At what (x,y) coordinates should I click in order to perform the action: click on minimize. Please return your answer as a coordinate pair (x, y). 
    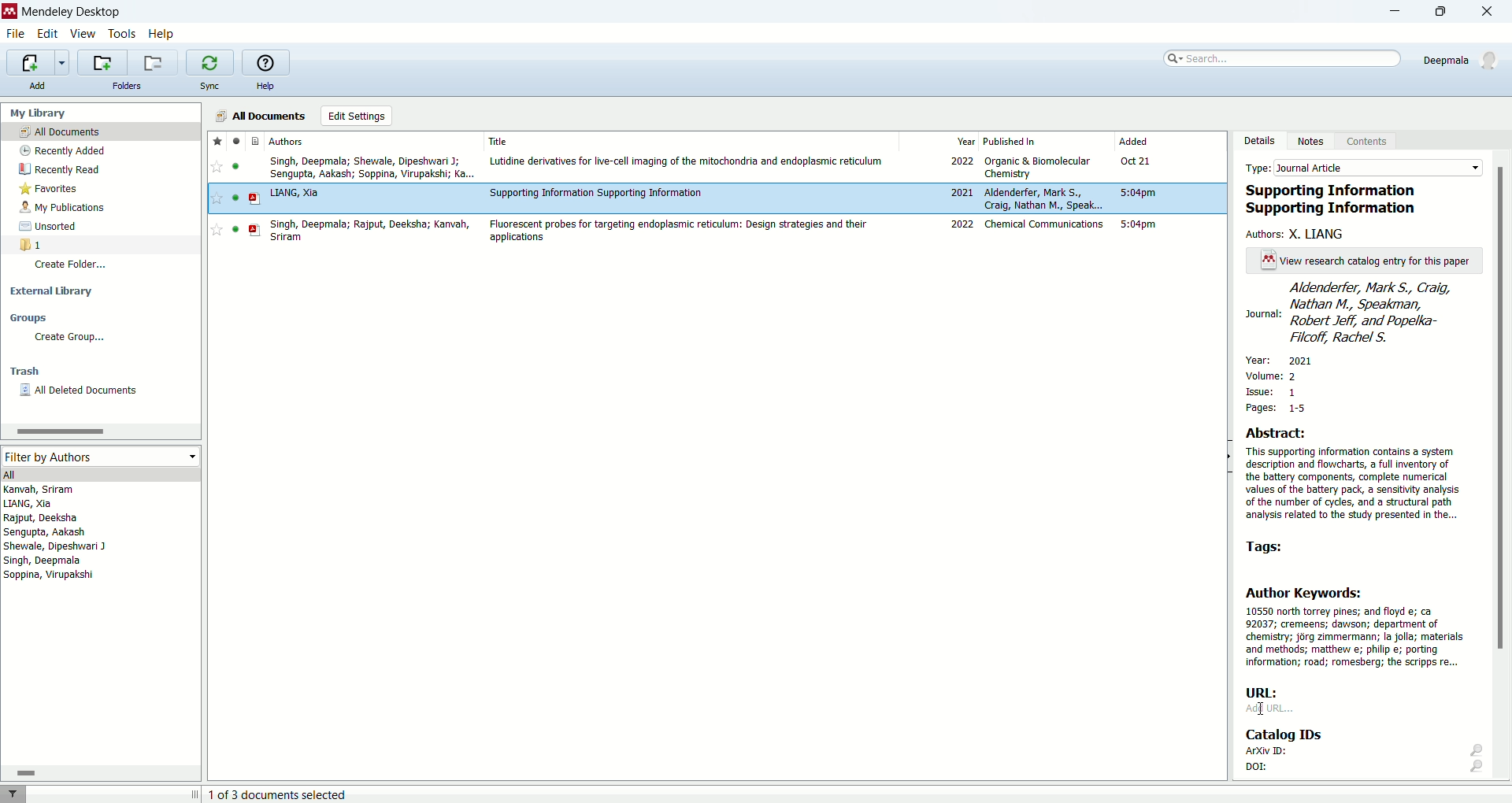
    Looking at the image, I should click on (1395, 11).